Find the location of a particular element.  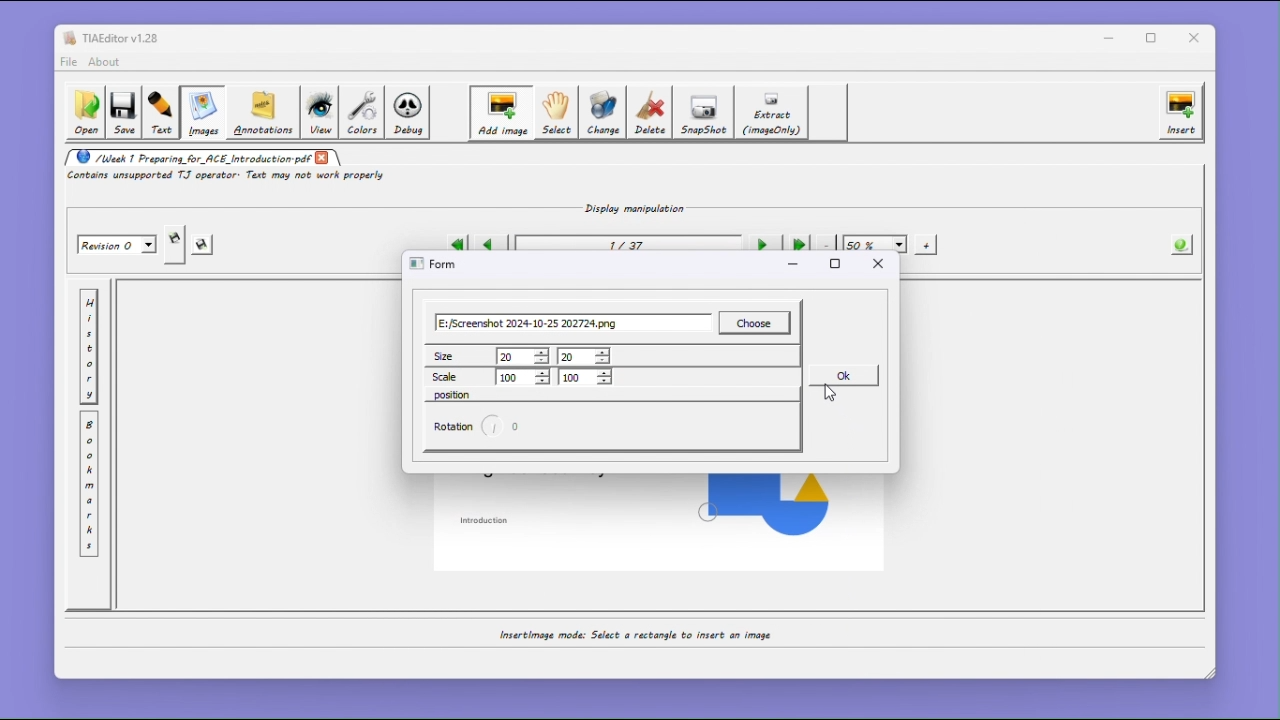

History is located at coordinates (89, 347).